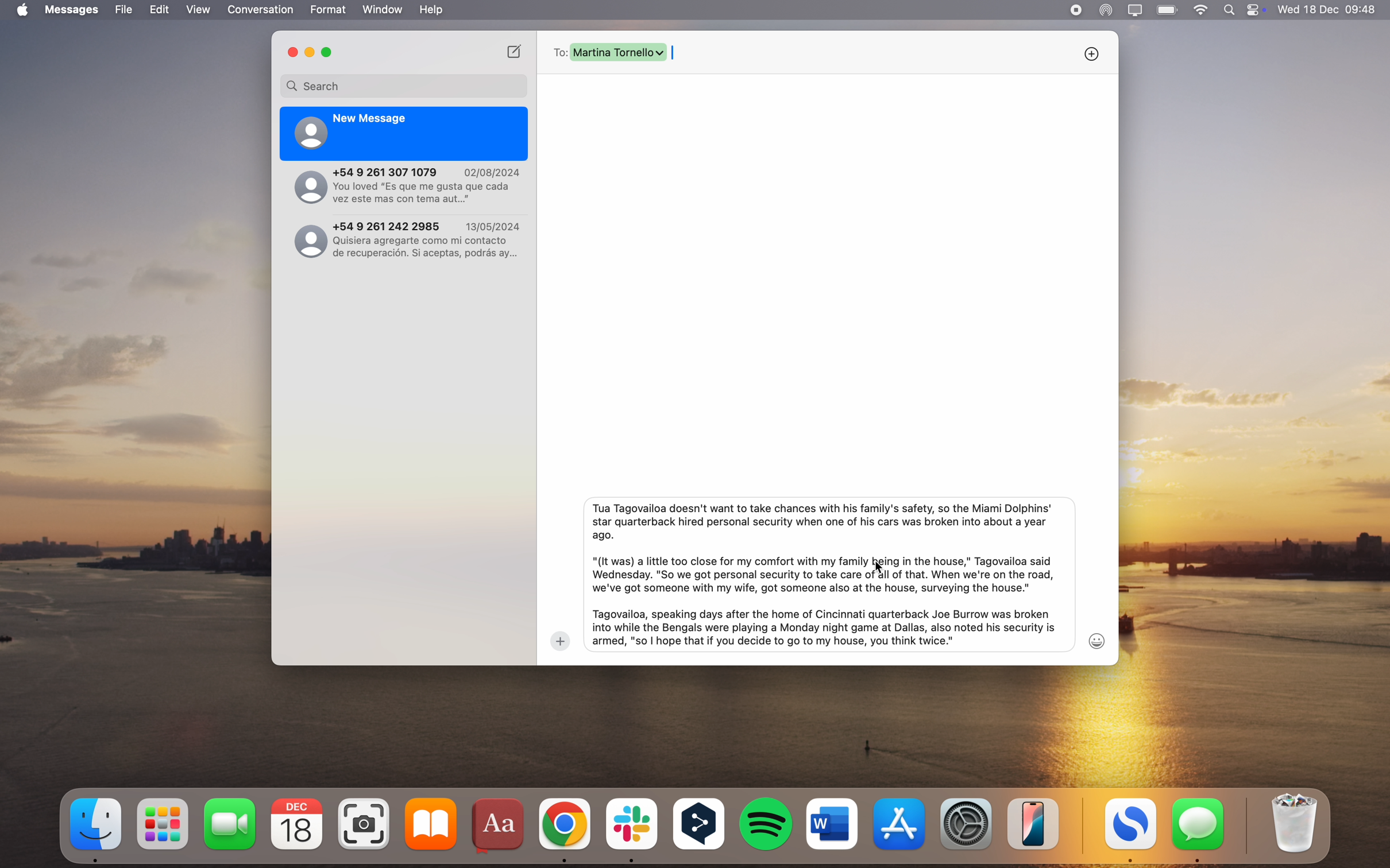 The height and width of the screenshot is (868, 1390). I want to click on help, so click(431, 10).